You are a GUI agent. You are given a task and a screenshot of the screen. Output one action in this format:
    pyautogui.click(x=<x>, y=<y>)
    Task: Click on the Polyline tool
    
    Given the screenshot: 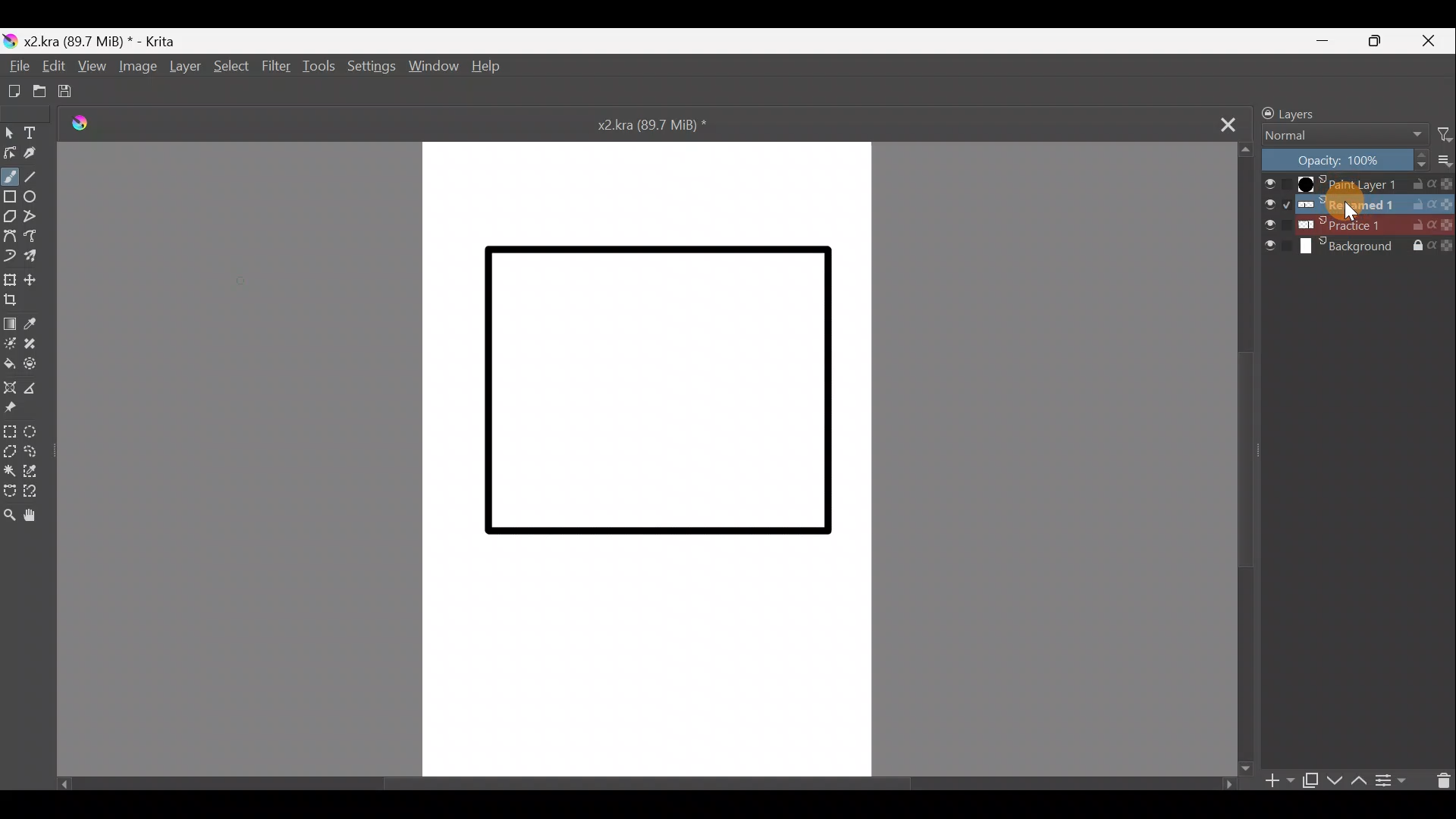 What is the action you would take?
    pyautogui.click(x=36, y=216)
    